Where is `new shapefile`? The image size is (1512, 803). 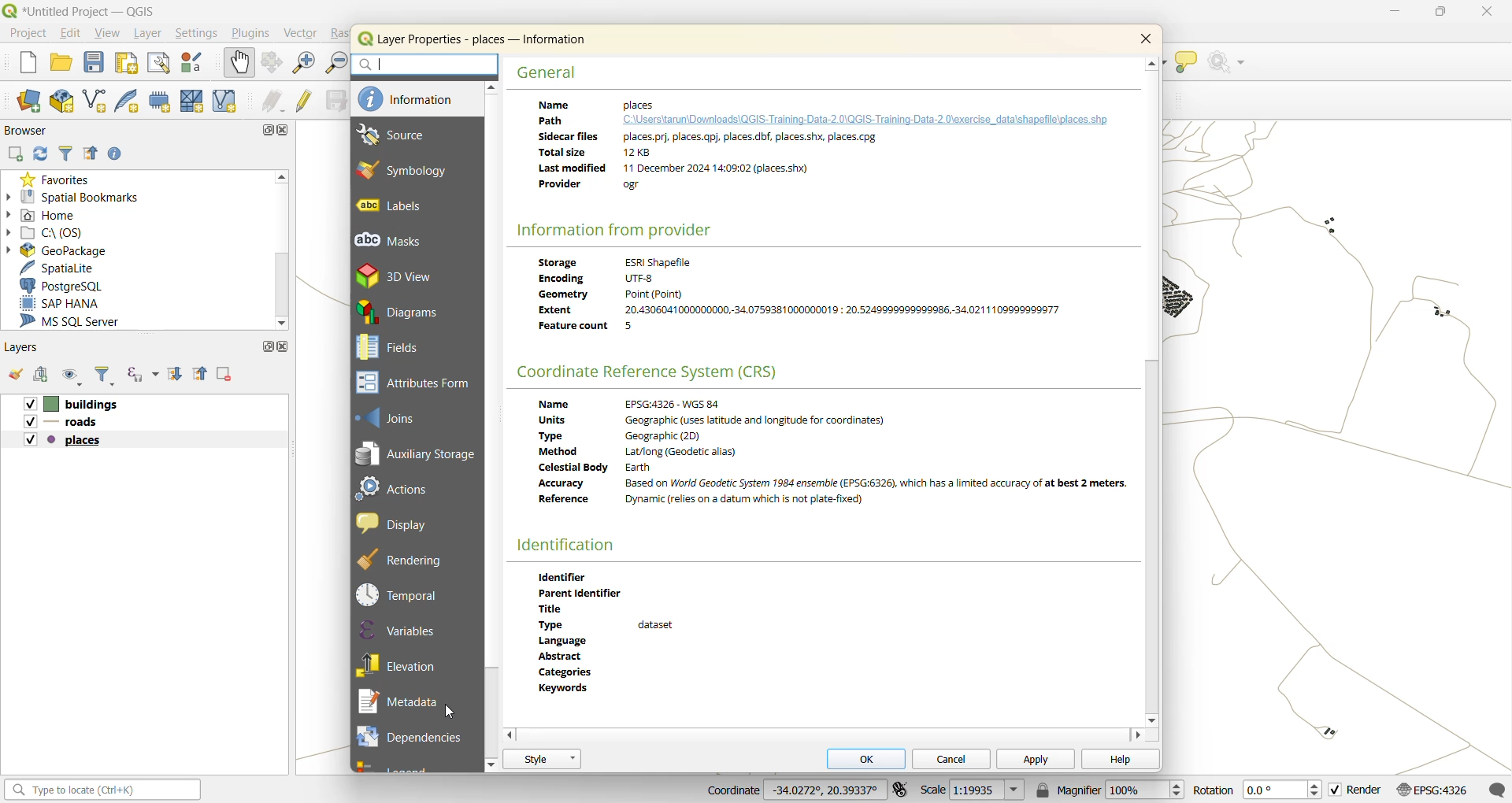
new shapefile is located at coordinates (100, 101).